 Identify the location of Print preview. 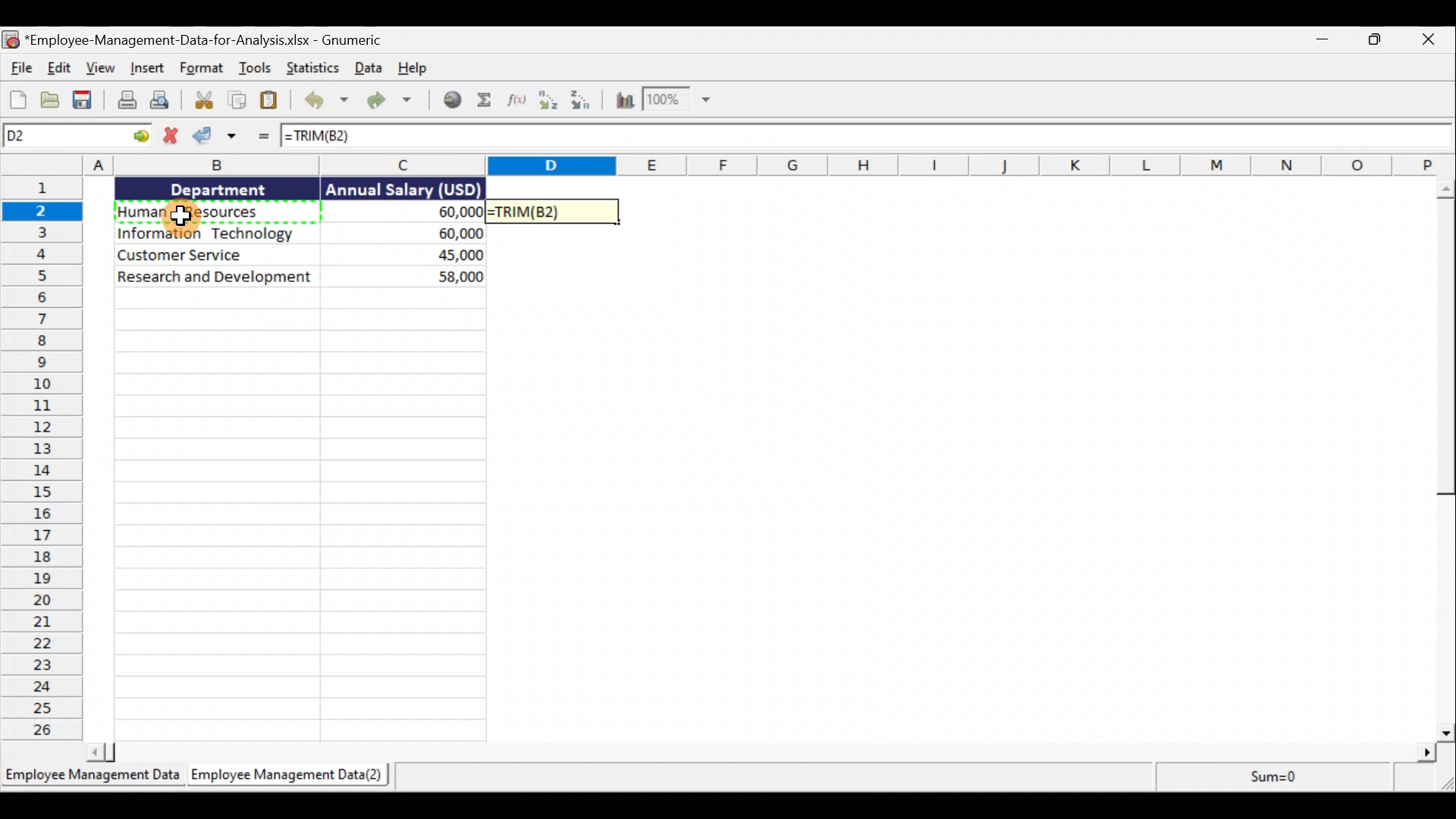
(162, 100).